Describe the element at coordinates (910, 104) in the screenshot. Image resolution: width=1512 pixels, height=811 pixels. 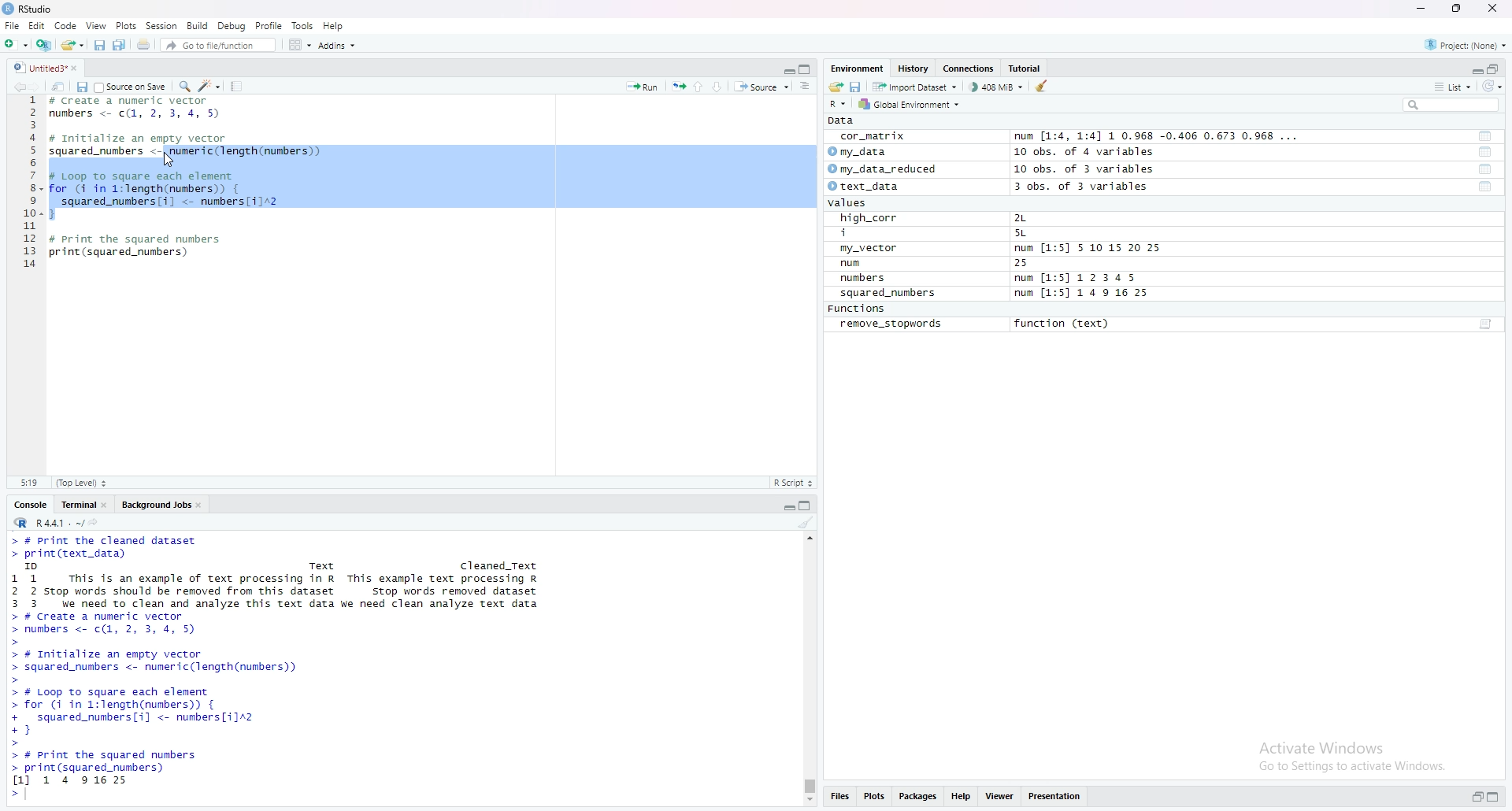
I see `Global Environment` at that location.